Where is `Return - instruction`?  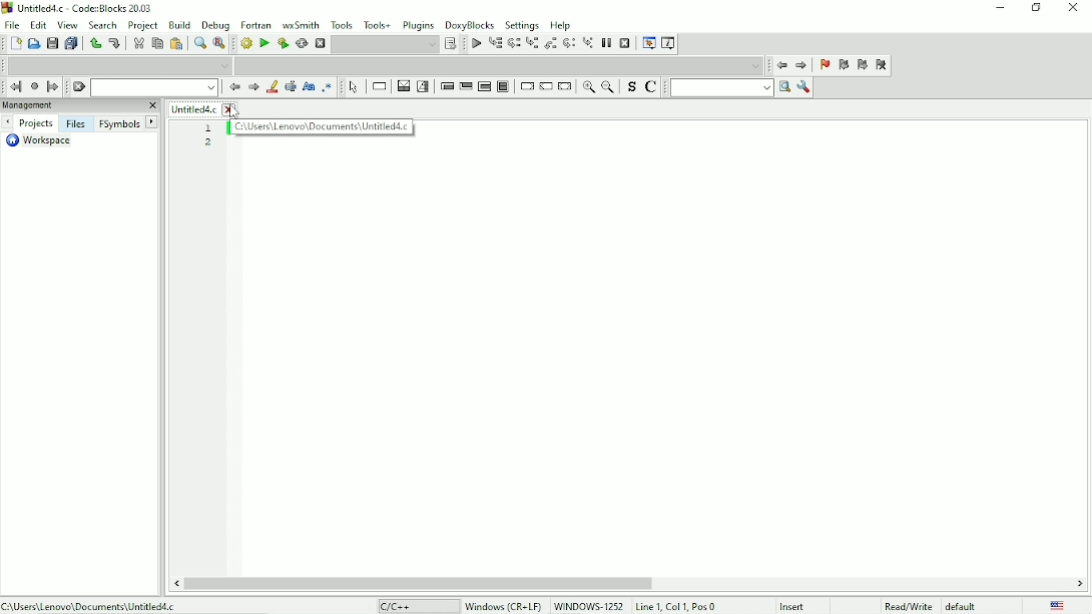 Return - instruction is located at coordinates (565, 86).